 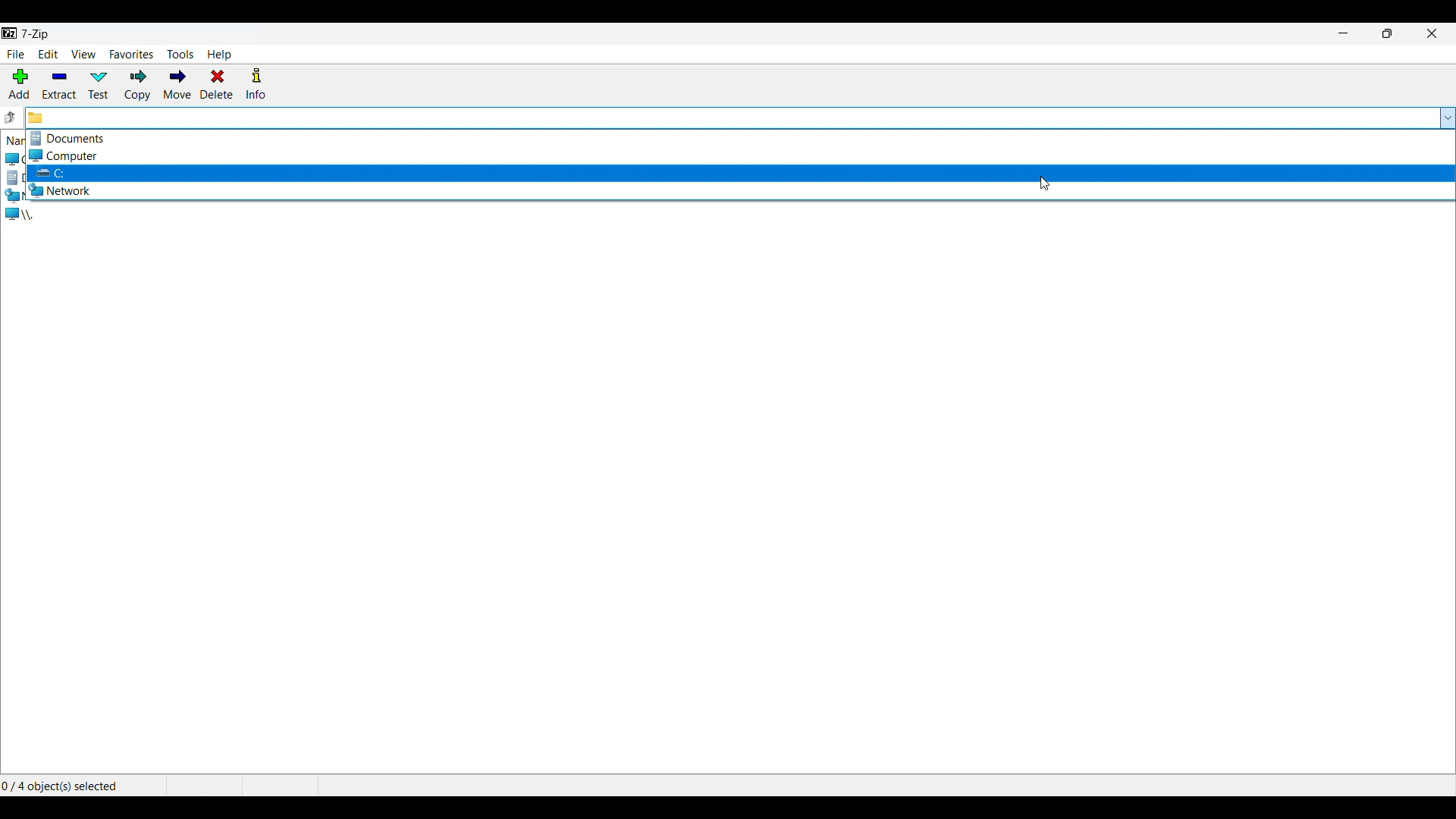 I want to click on Add, so click(x=20, y=84).